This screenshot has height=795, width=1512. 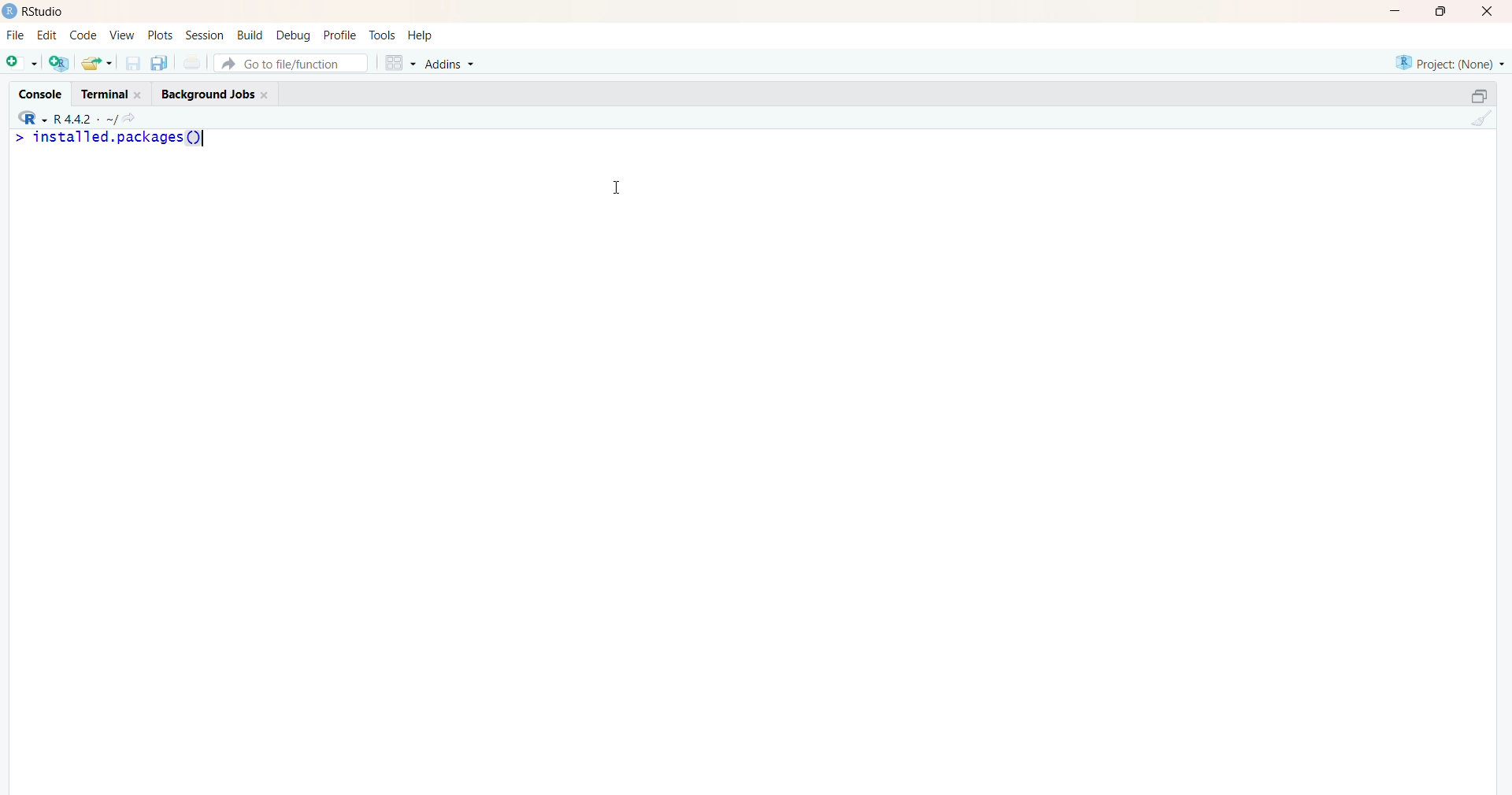 What do you see at coordinates (98, 62) in the screenshot?
I see `open an existing file` at bounding box center [98, 62].